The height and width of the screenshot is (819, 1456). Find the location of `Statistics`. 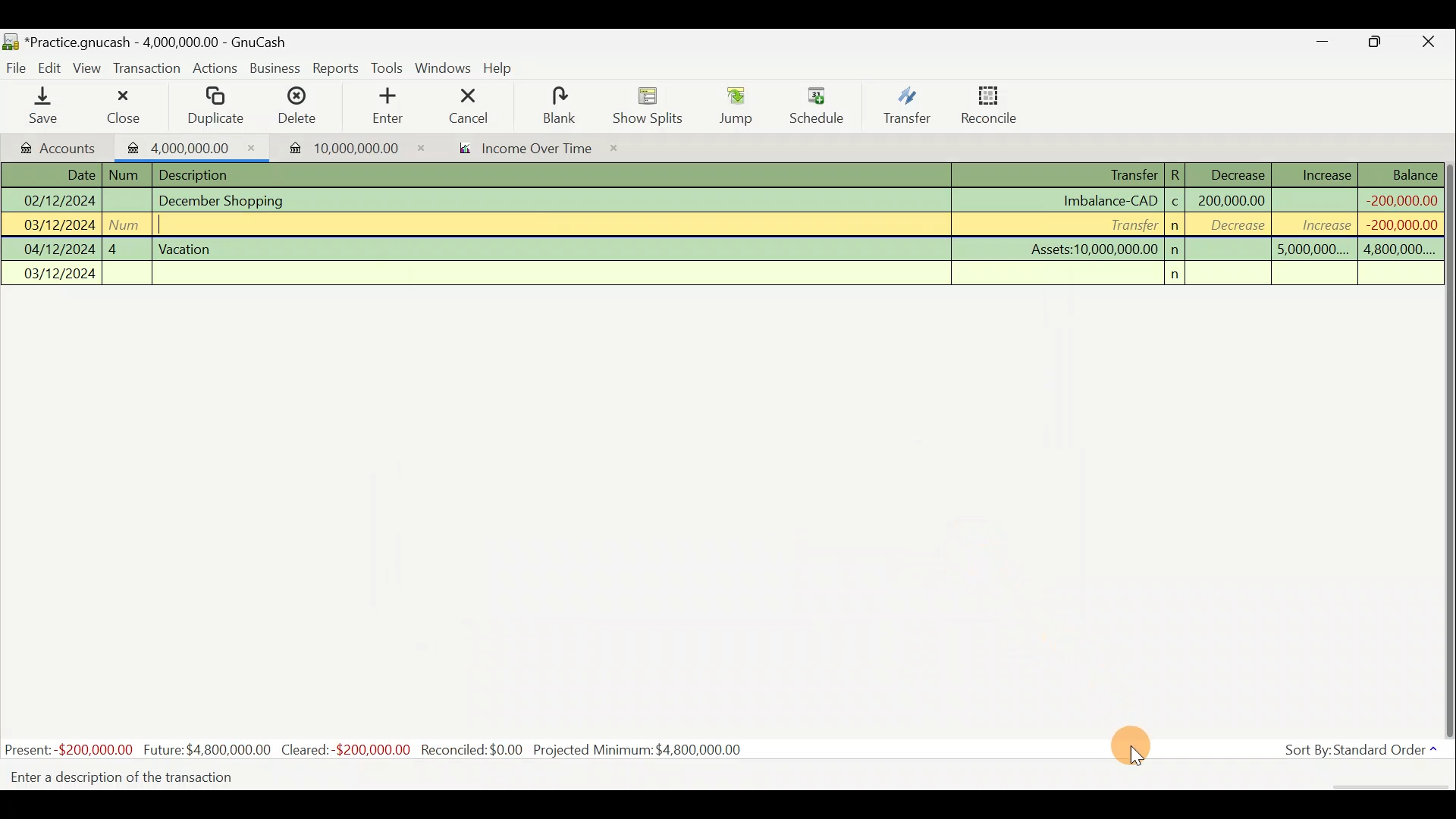

Statistics is located at coordinates (399, 750).